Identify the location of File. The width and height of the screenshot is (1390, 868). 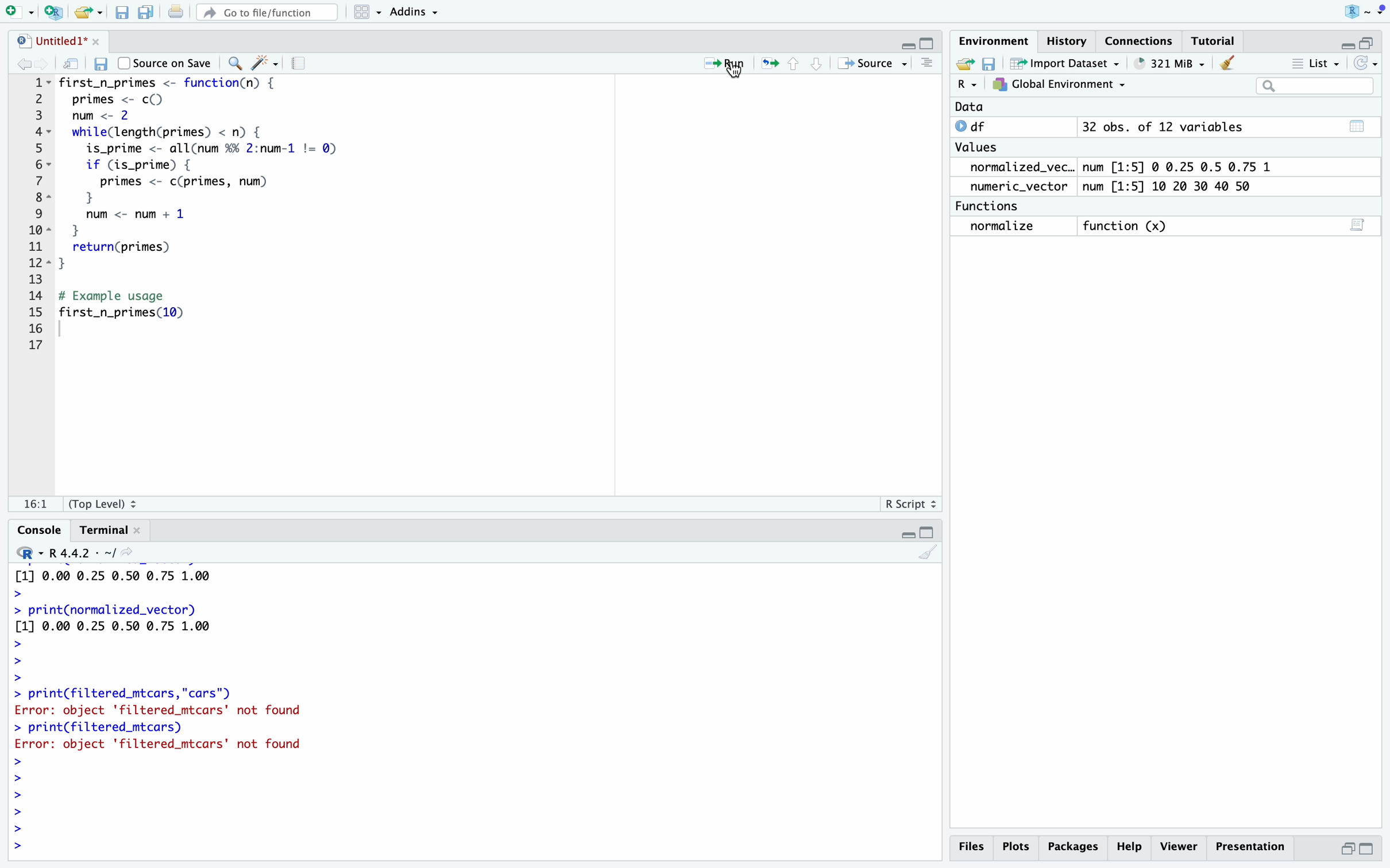
(119, 13).